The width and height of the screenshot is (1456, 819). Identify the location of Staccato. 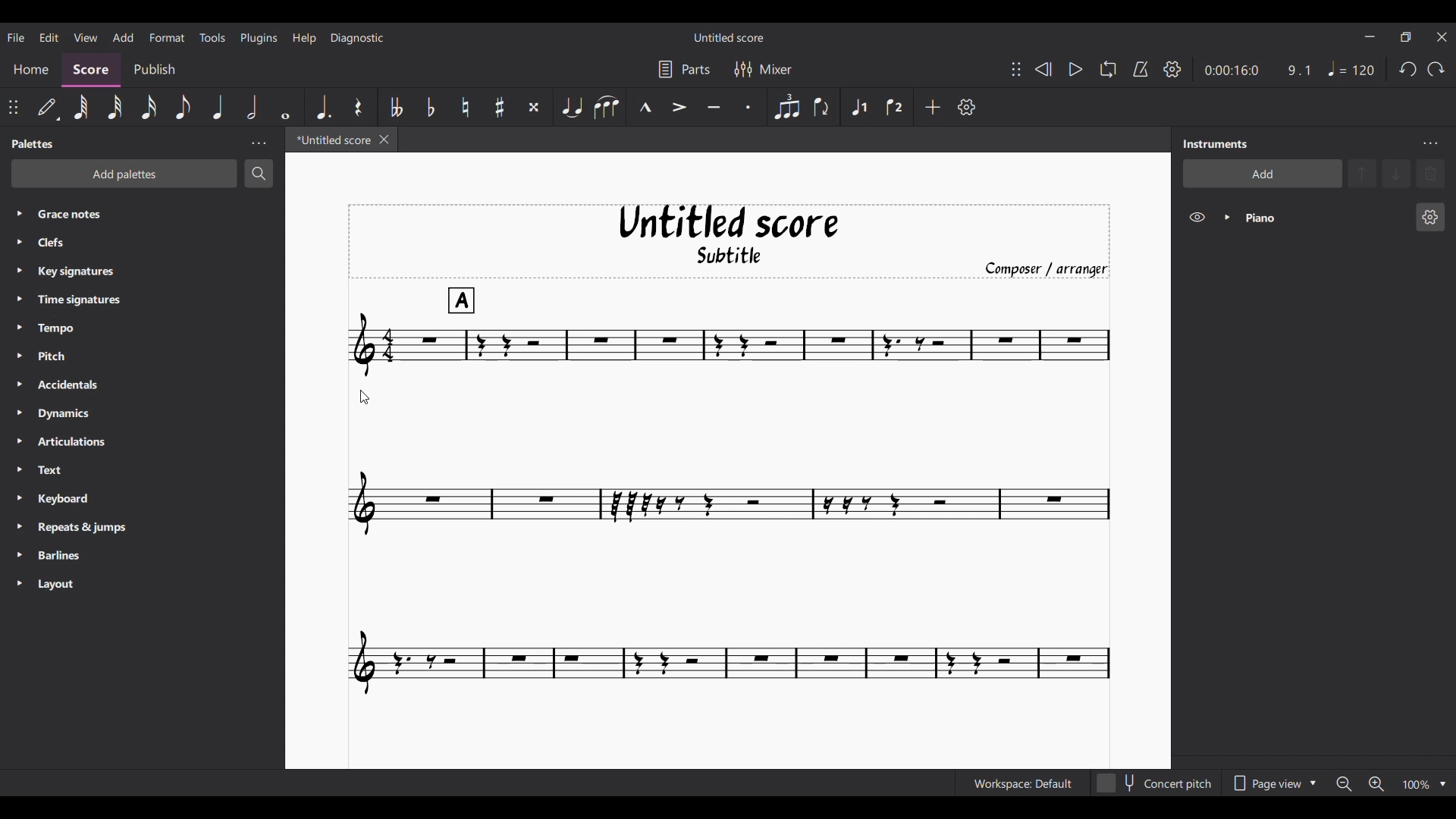
(747, 107).